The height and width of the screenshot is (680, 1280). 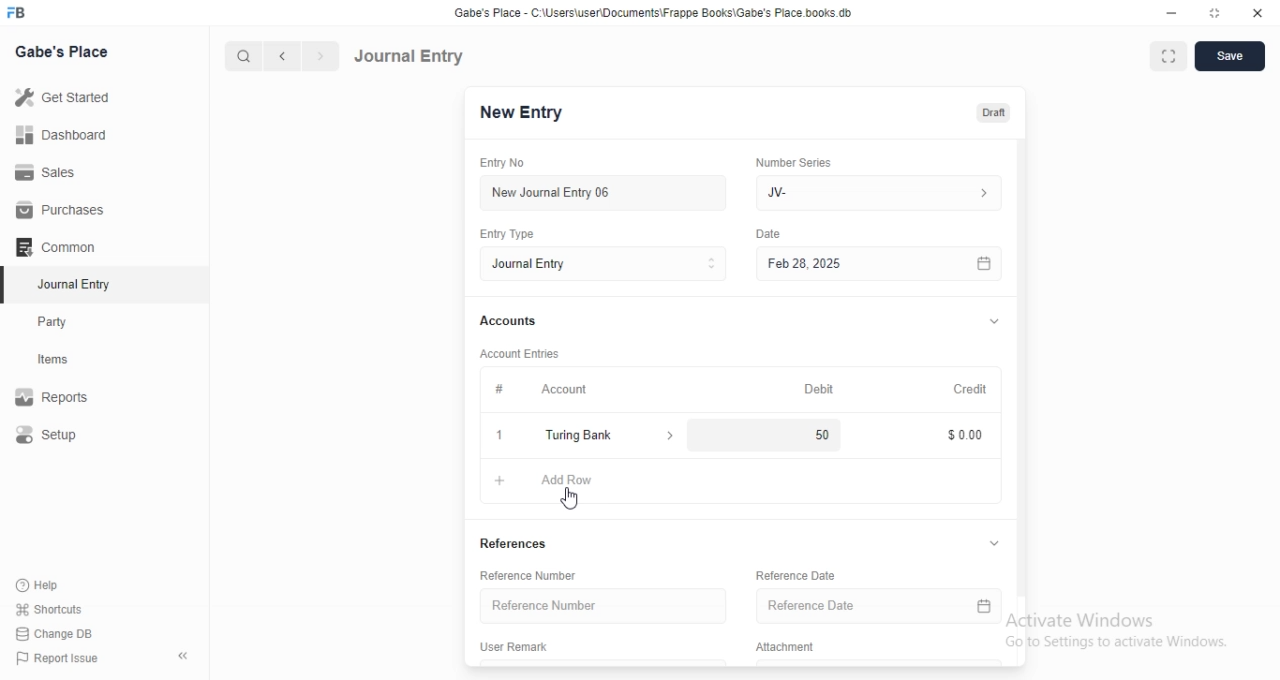 What do you see at coordinates (878, 190) in the screenshot?
I see `JV-` at bounding box center [878, 190].